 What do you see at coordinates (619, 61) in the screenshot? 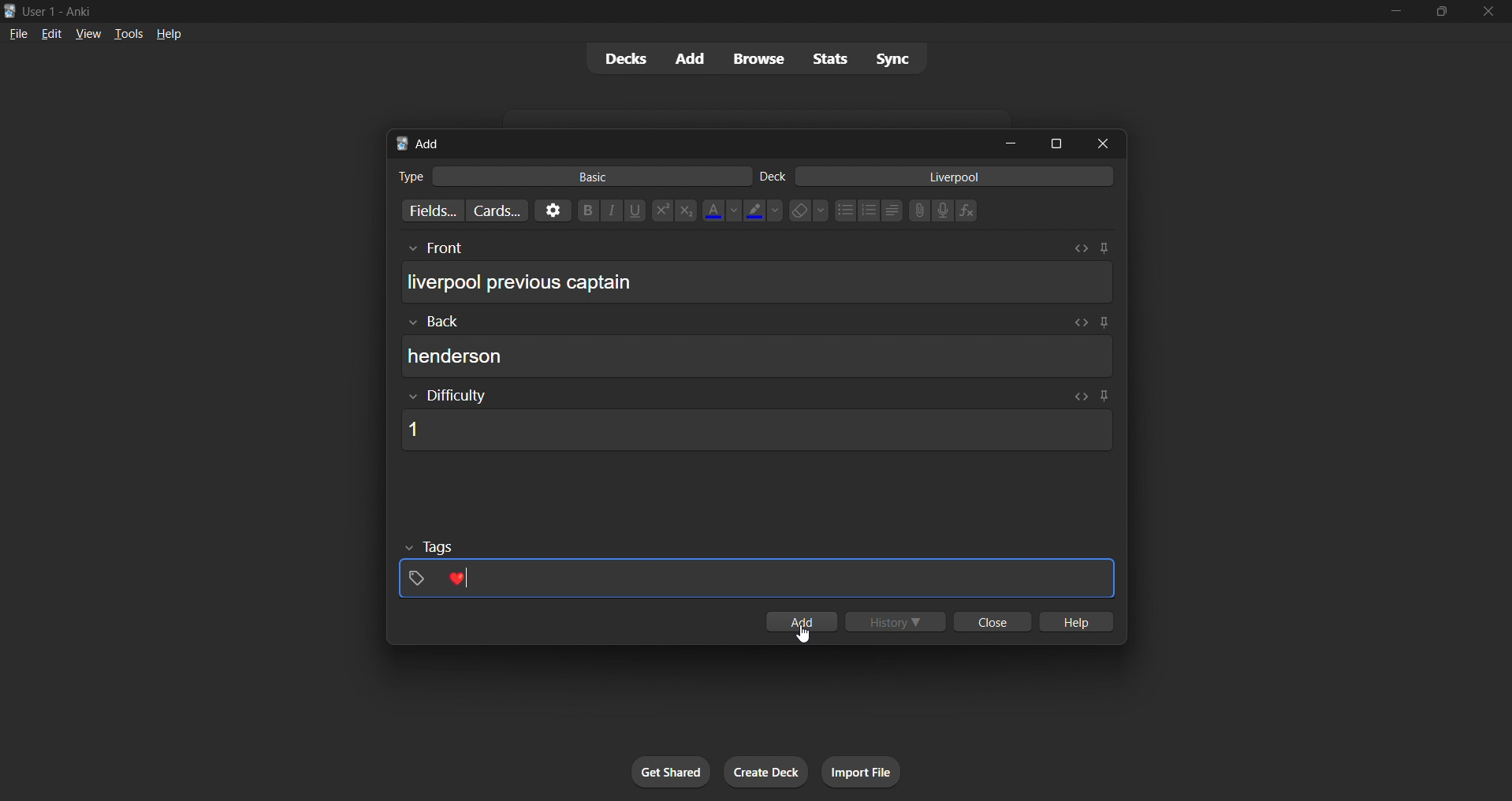
I see `decks` at bounding box center [619, 61].